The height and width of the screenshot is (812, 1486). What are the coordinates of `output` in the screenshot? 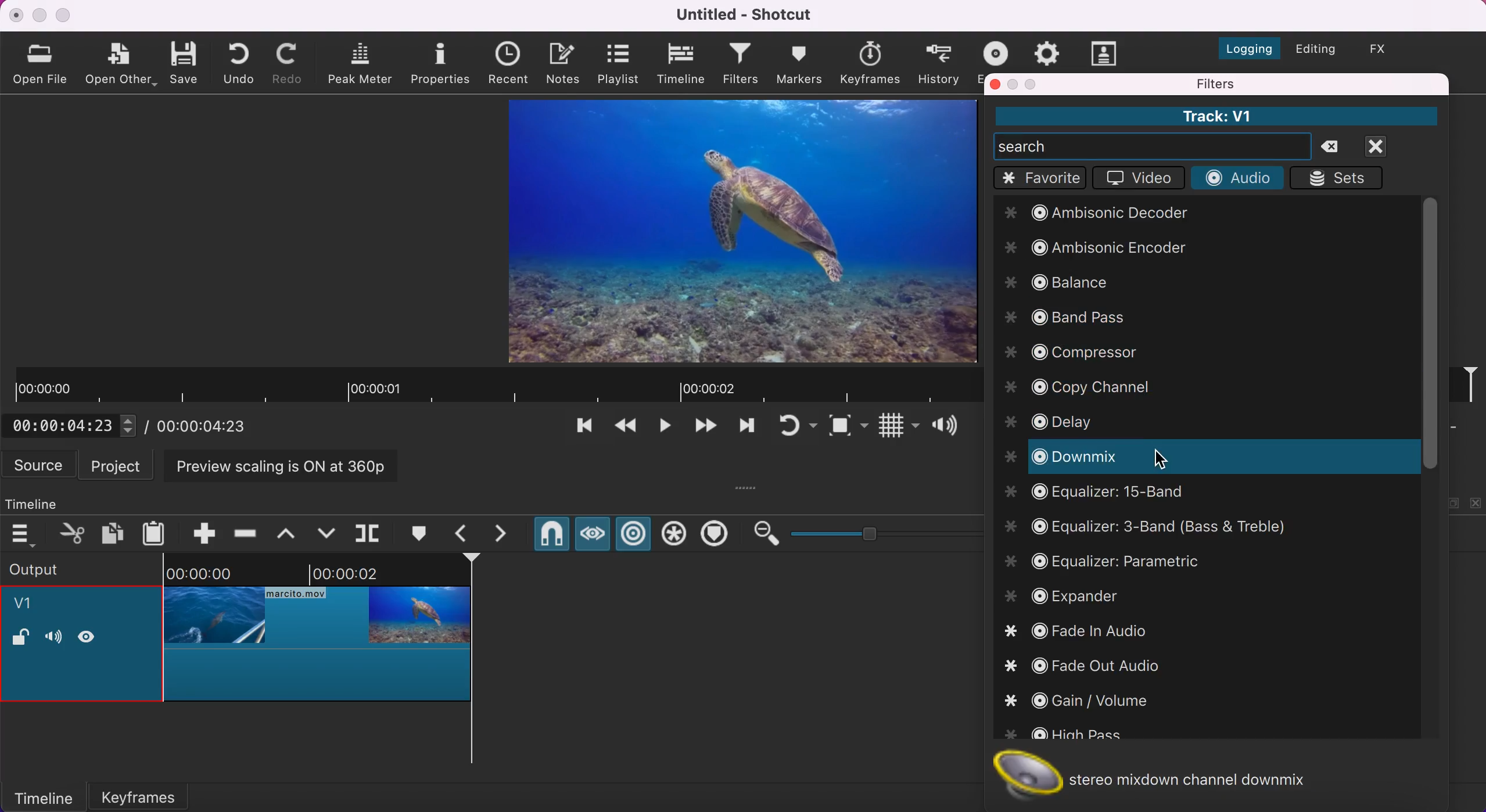 It's located at (65, 568).